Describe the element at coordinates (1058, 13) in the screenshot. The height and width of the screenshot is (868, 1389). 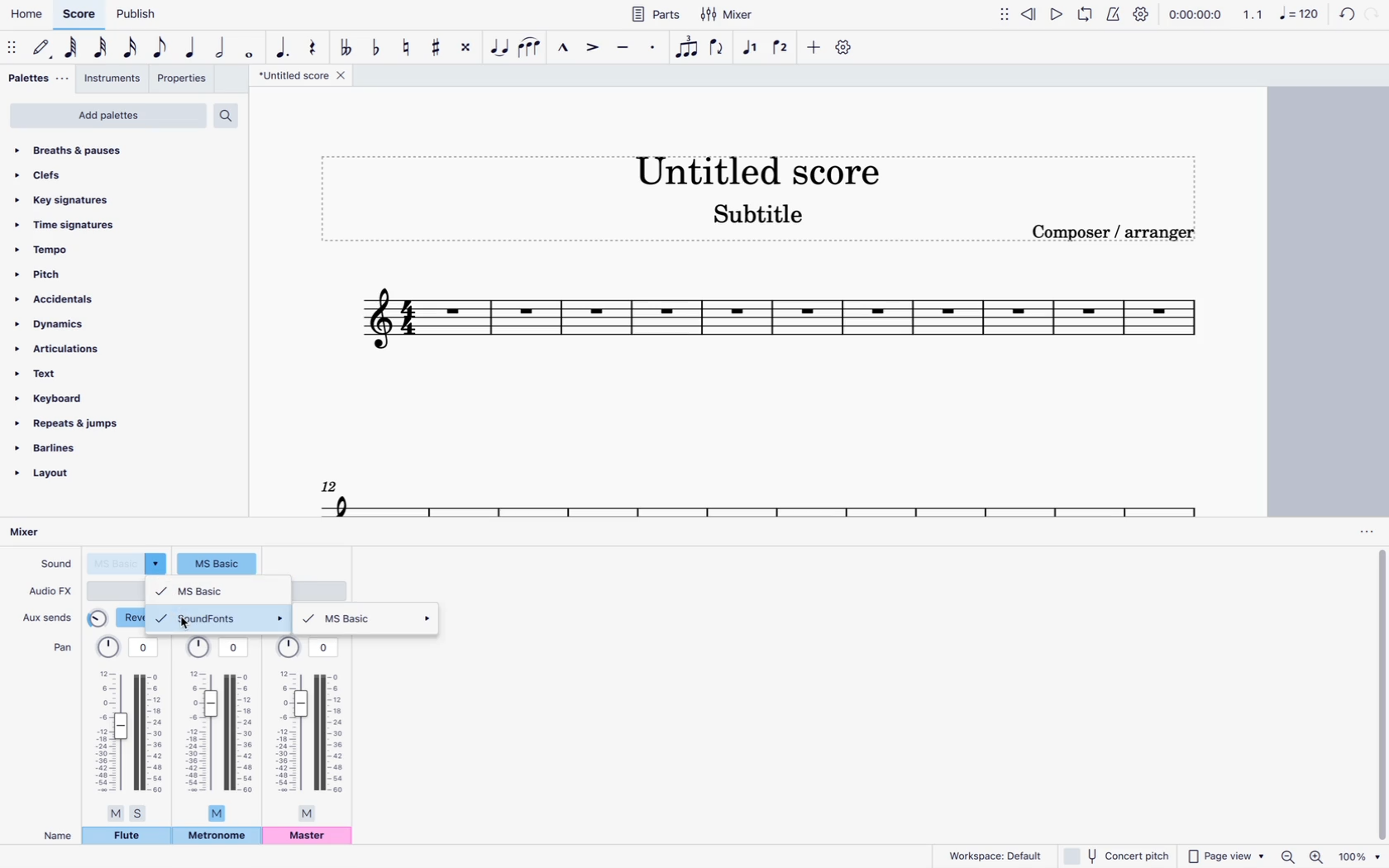
I see `play` at that location.